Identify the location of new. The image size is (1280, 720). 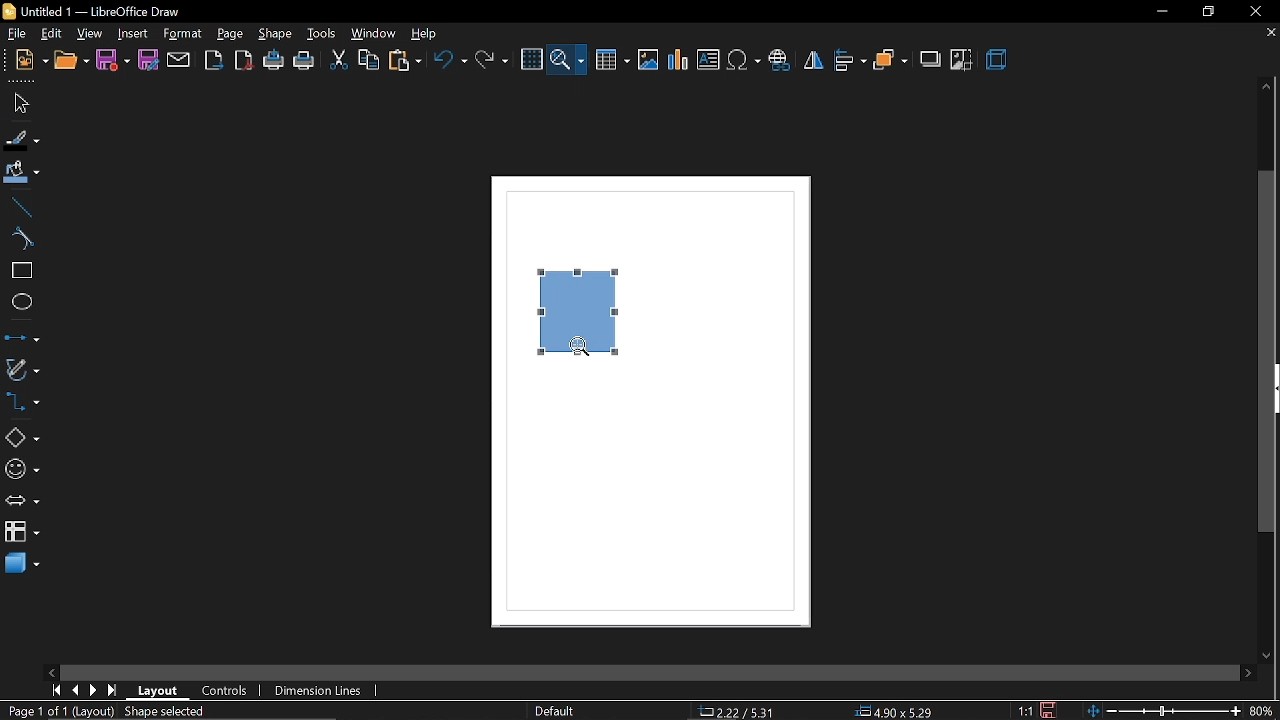
(31, 62).